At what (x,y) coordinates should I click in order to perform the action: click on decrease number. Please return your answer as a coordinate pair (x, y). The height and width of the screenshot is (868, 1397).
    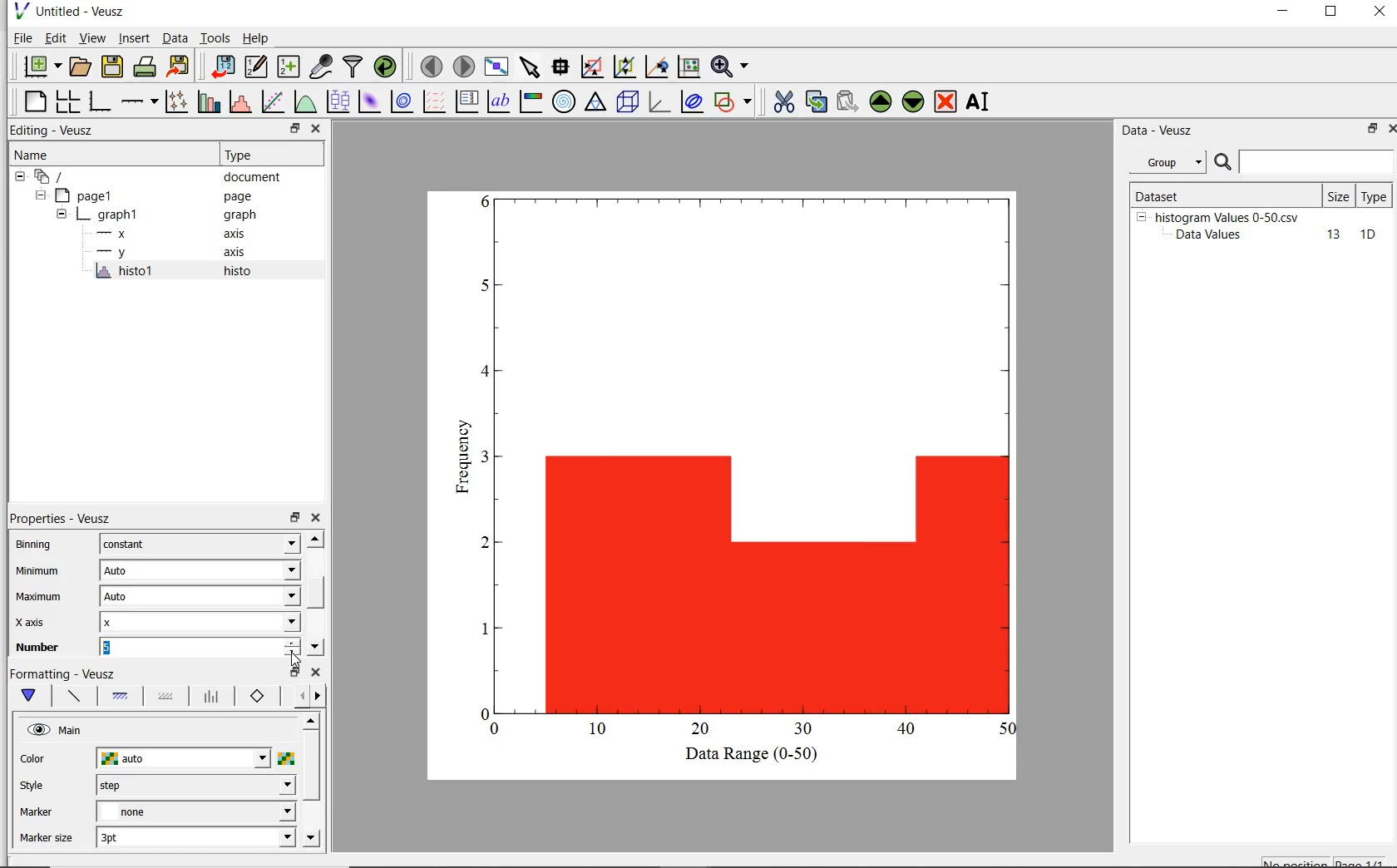
    Looking at the image, I should click on (293, 654).